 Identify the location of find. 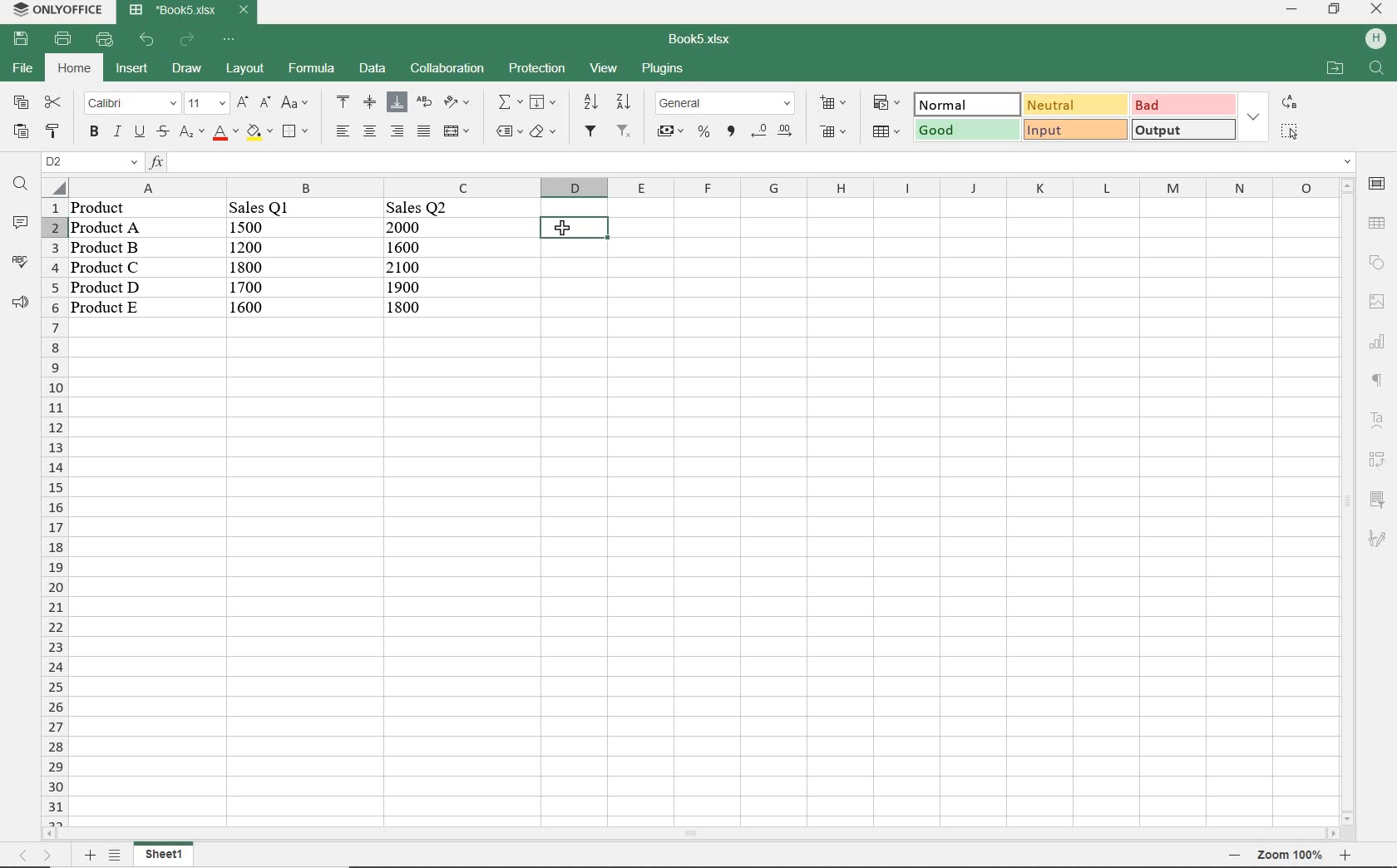
(21, 185).